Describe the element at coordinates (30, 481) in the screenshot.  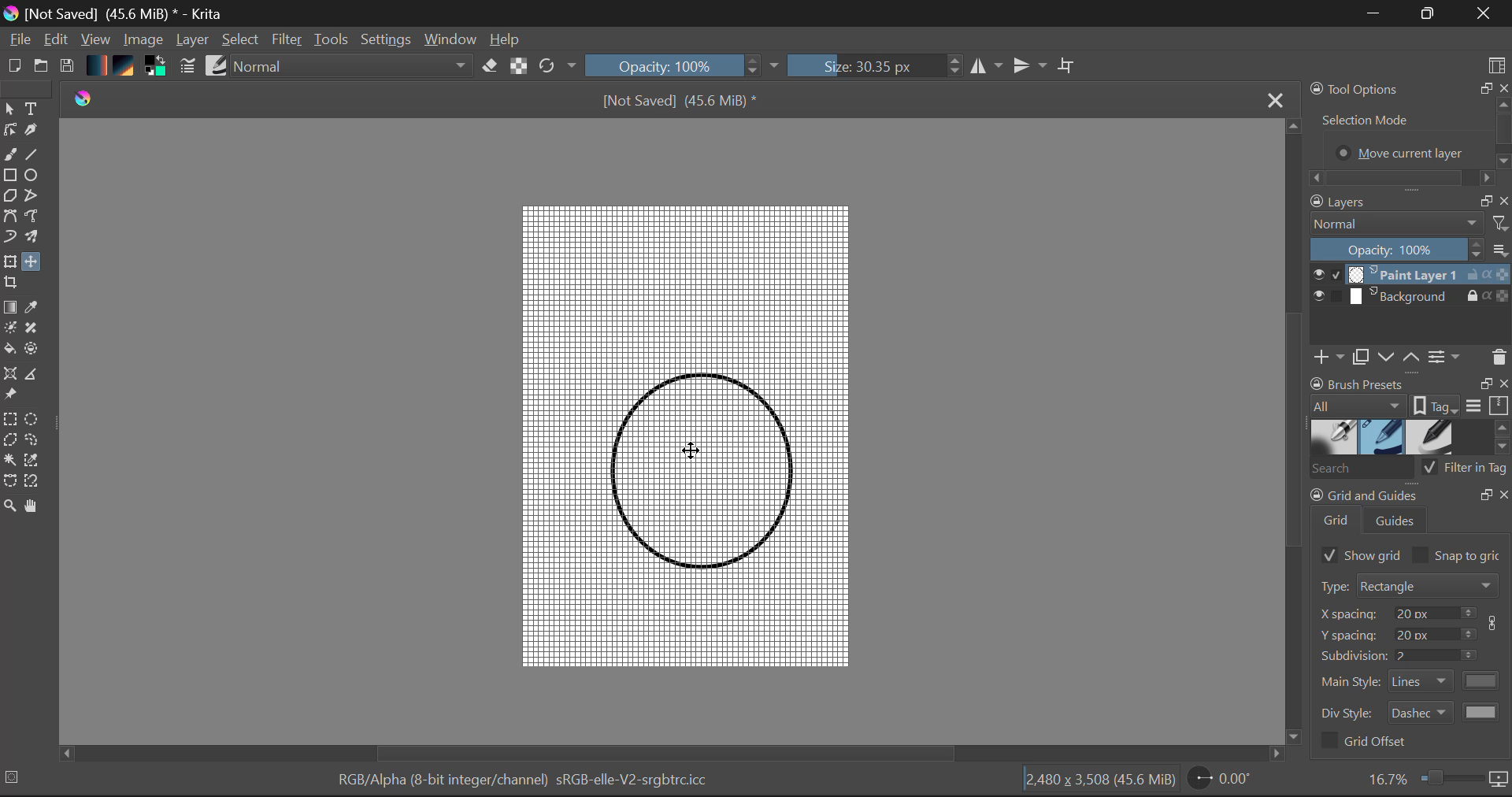
I see `Magnetic Selection` at that location.